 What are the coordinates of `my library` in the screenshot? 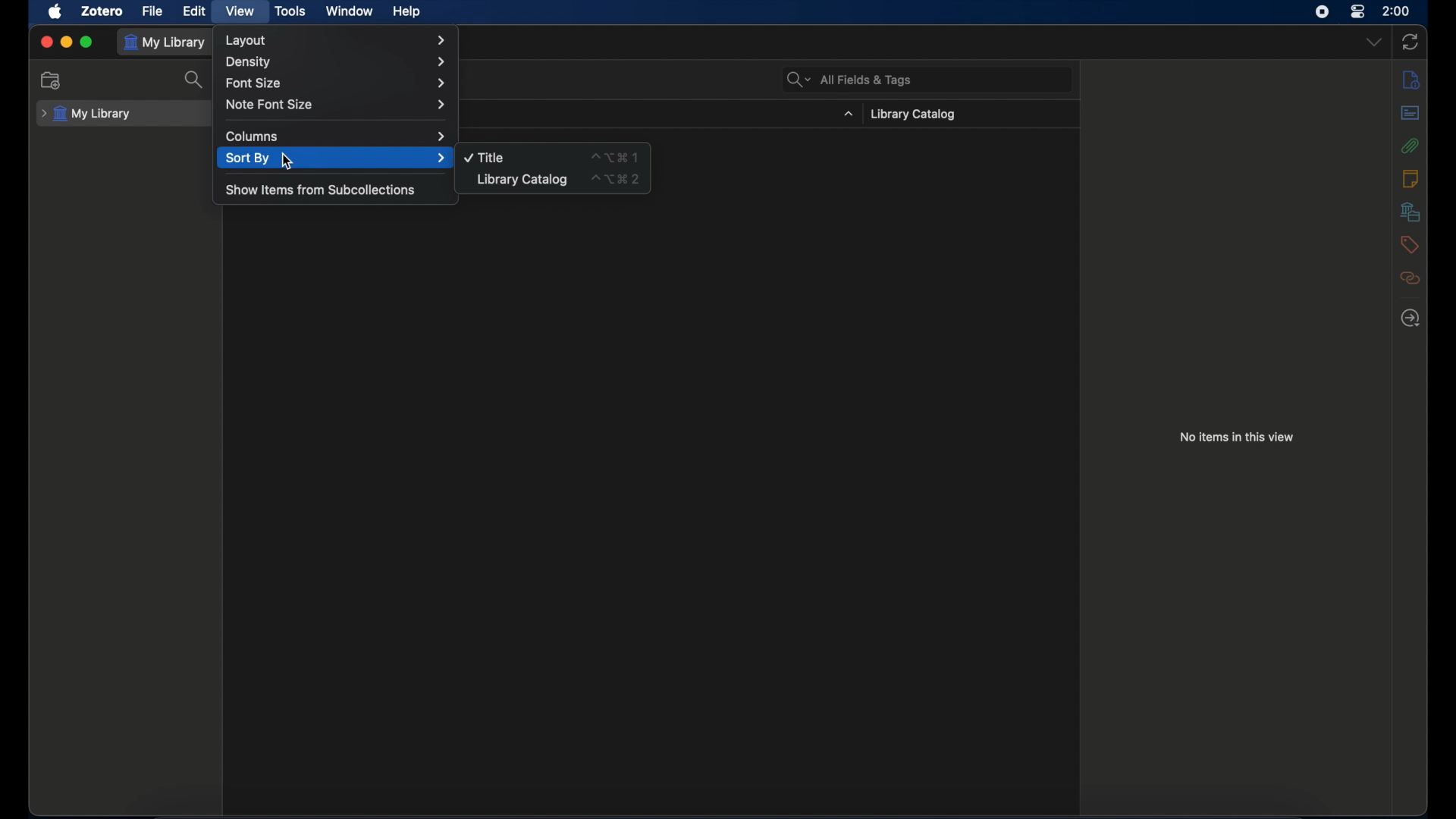 It's located at (164, 42).